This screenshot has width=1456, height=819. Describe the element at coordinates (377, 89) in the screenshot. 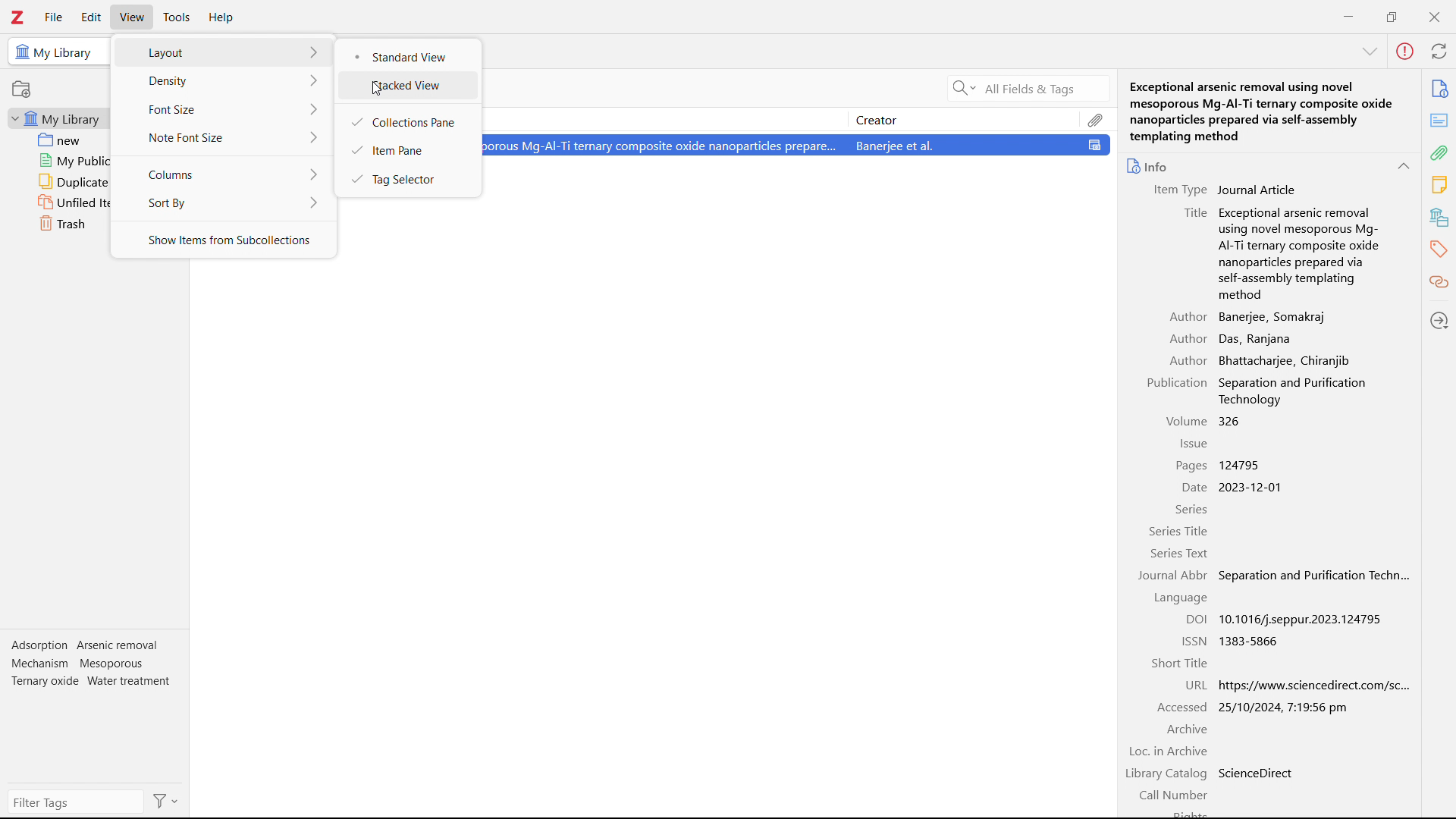

I see `cursor` at that location.